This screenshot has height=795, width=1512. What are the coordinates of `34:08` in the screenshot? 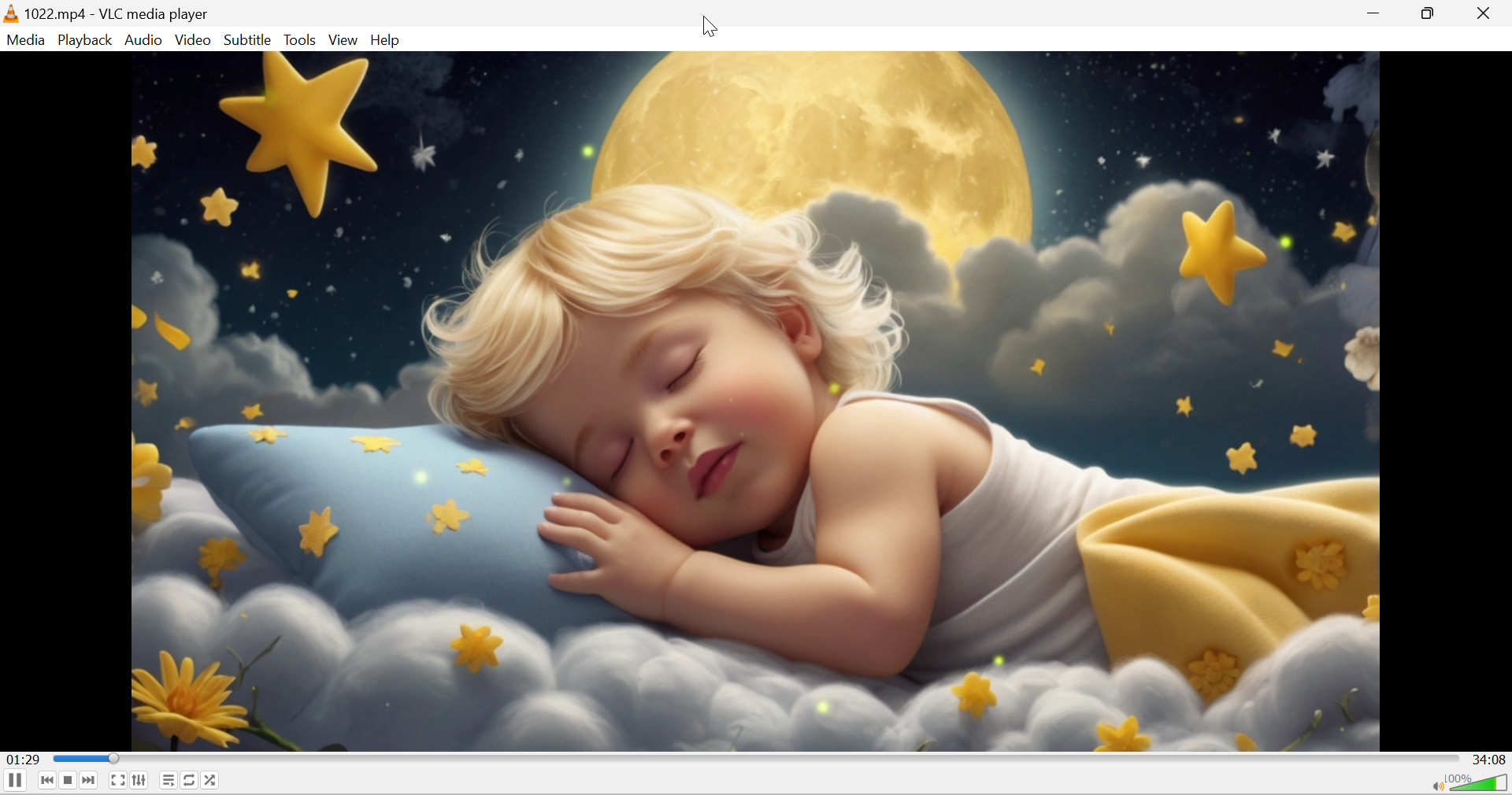 It's located at (1490, 760).